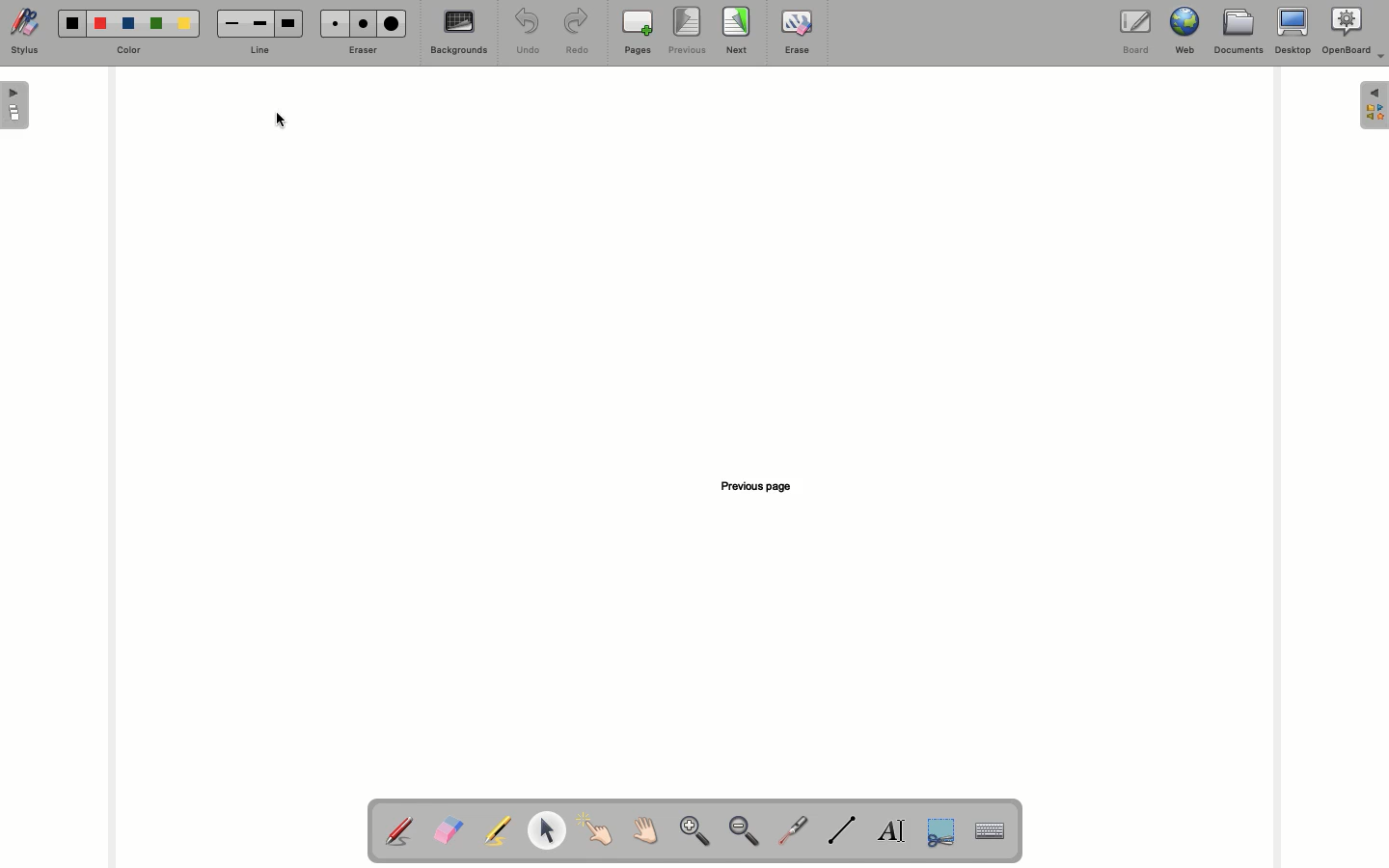  What do you see at coordinates (546, 830) in the screenshot?
I see `Select and modify objects` at bounding box center [546, 830].